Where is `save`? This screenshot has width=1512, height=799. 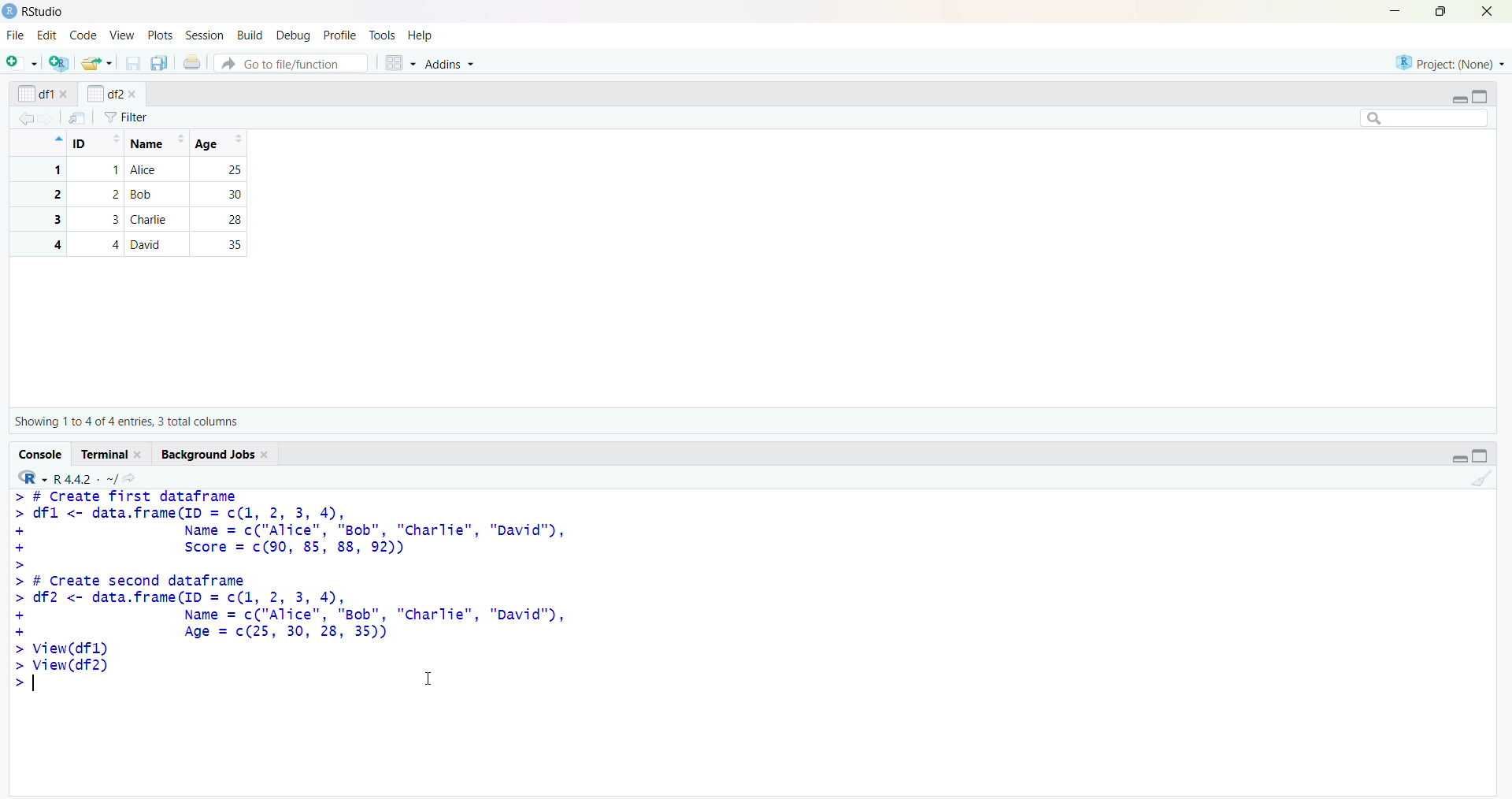 save is located at coordinates (134, 63).